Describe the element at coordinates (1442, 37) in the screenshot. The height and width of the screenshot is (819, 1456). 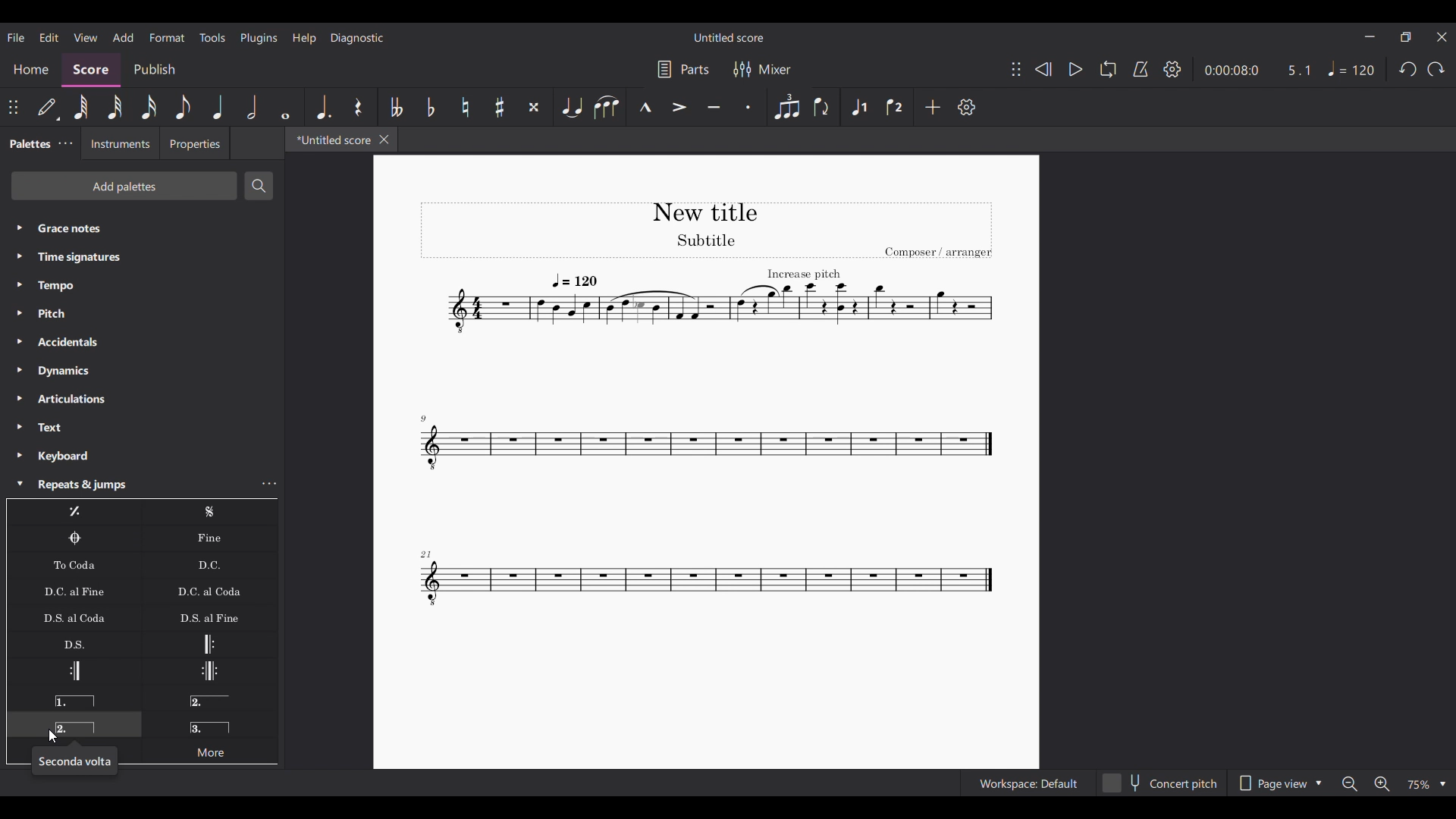
I see `Close interface` at that location.